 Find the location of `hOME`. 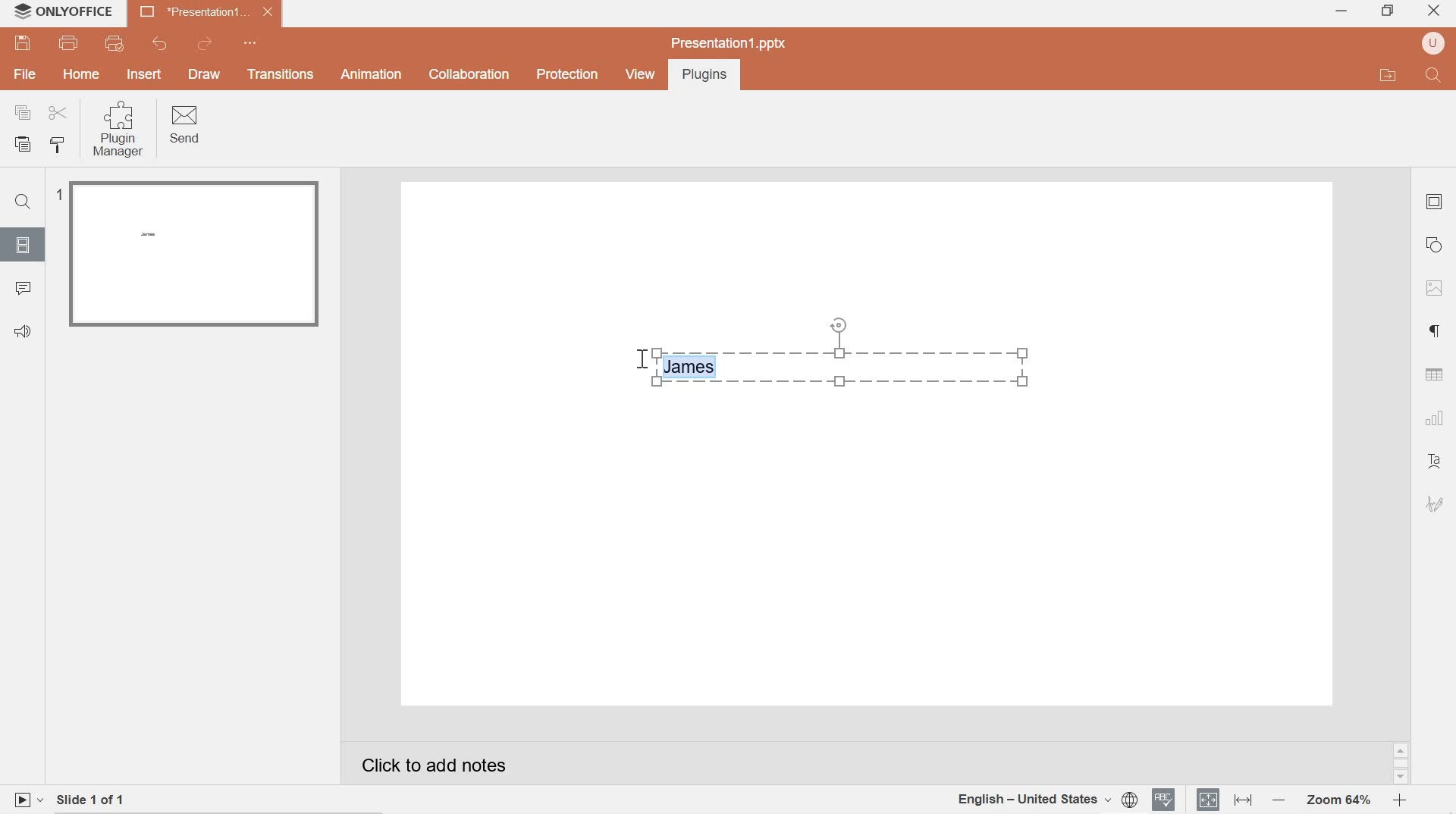

hOME is located at coordinates (82, 76).